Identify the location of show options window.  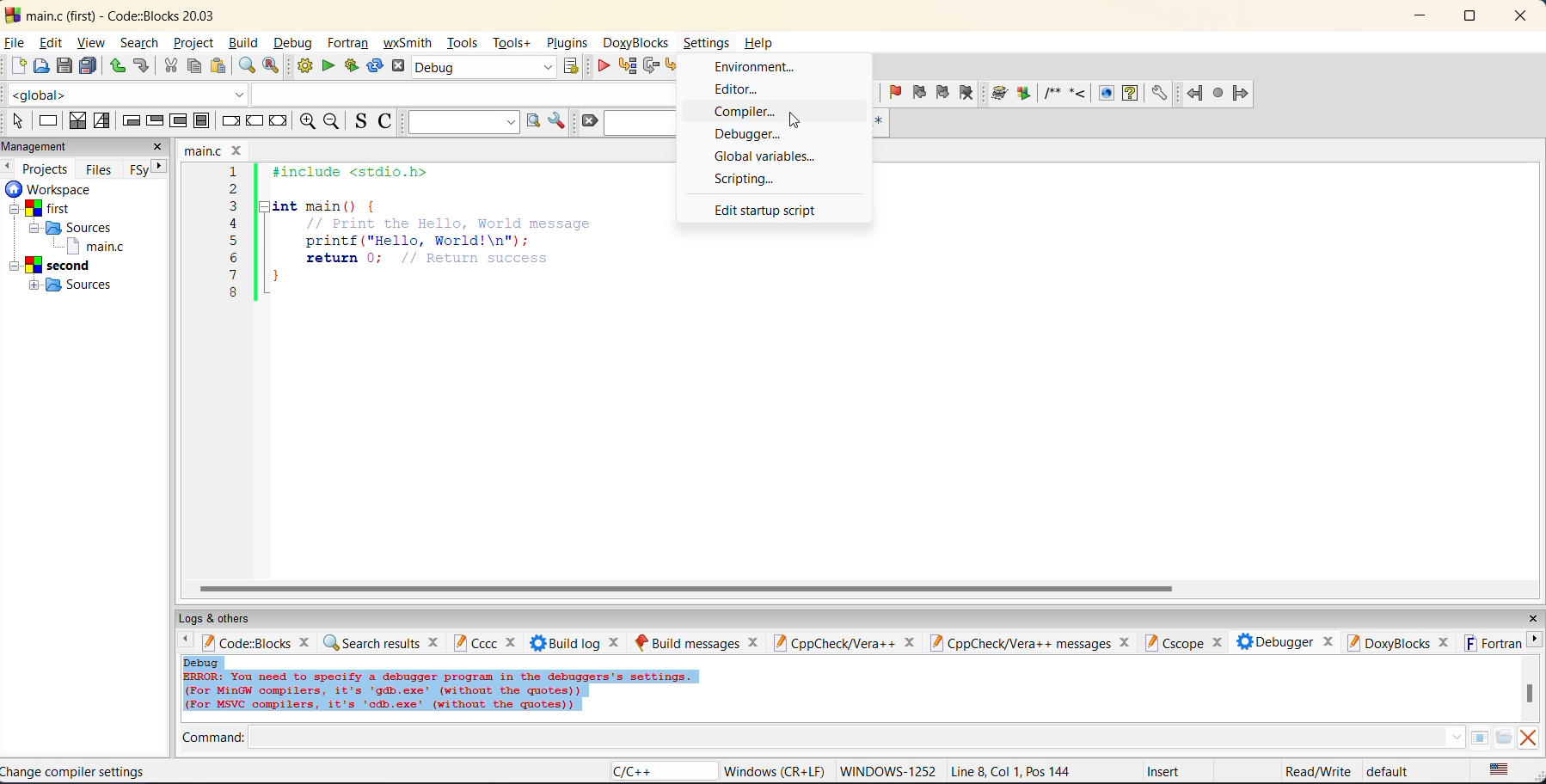
(561, 124).